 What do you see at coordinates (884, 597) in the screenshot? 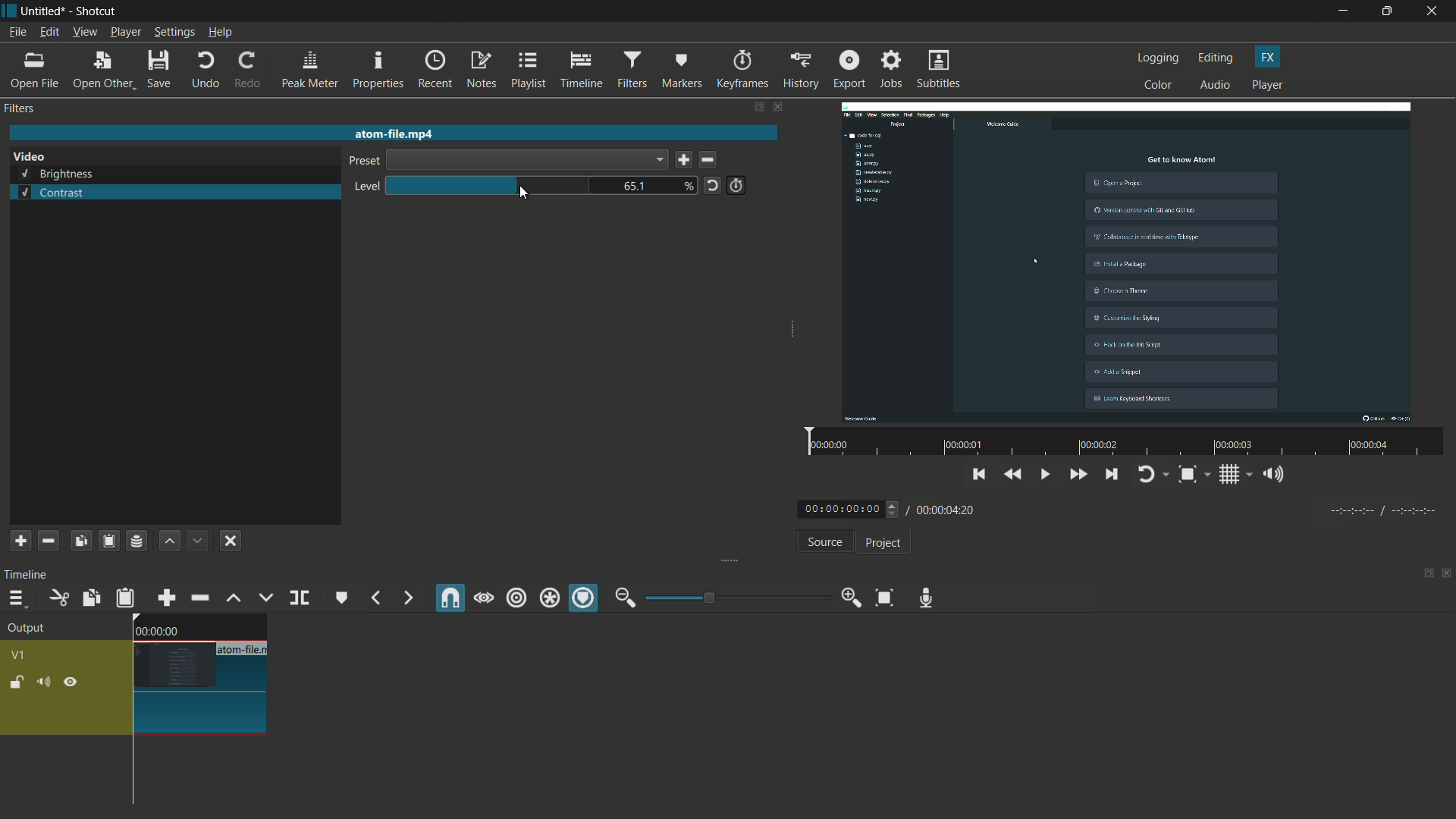
I see `zoom timeline to fit` at bounding box center [884, 597].